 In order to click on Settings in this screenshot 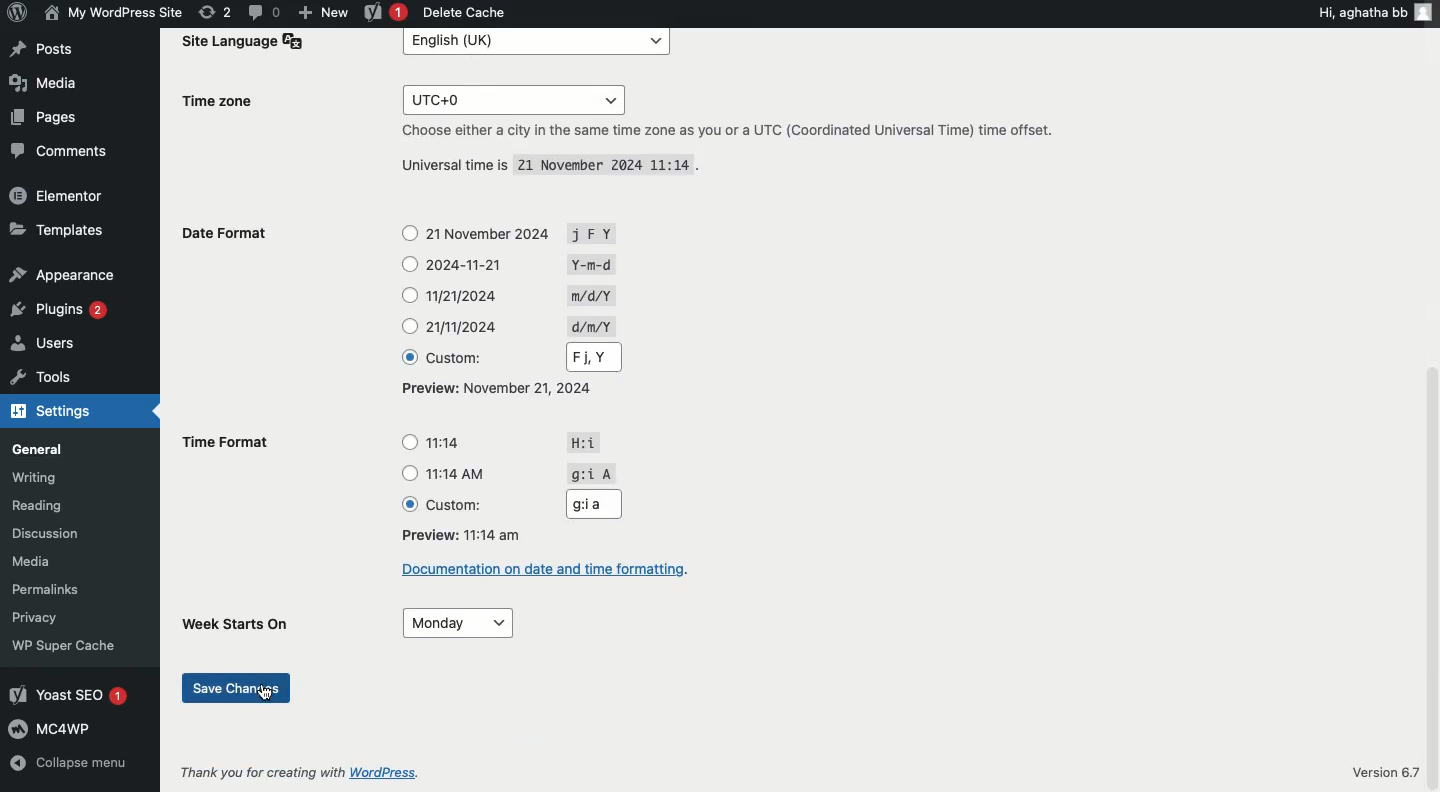, I will do `click(52, 412)`.